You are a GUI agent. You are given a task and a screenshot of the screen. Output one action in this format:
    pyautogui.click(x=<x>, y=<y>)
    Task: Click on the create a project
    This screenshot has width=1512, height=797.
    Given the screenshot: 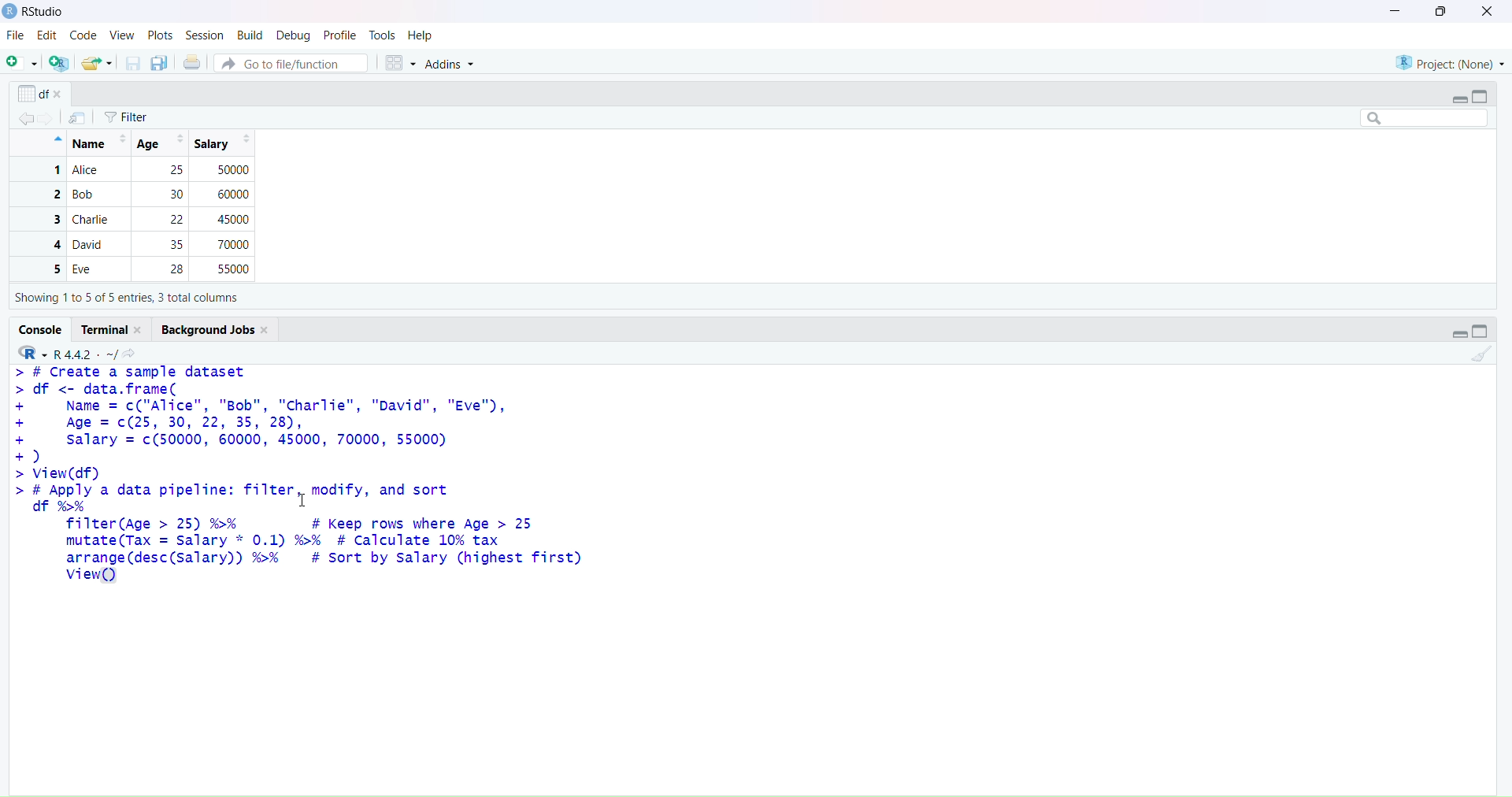 What is the action you would take?
    pyautogui.click(x=59, y=63)
    